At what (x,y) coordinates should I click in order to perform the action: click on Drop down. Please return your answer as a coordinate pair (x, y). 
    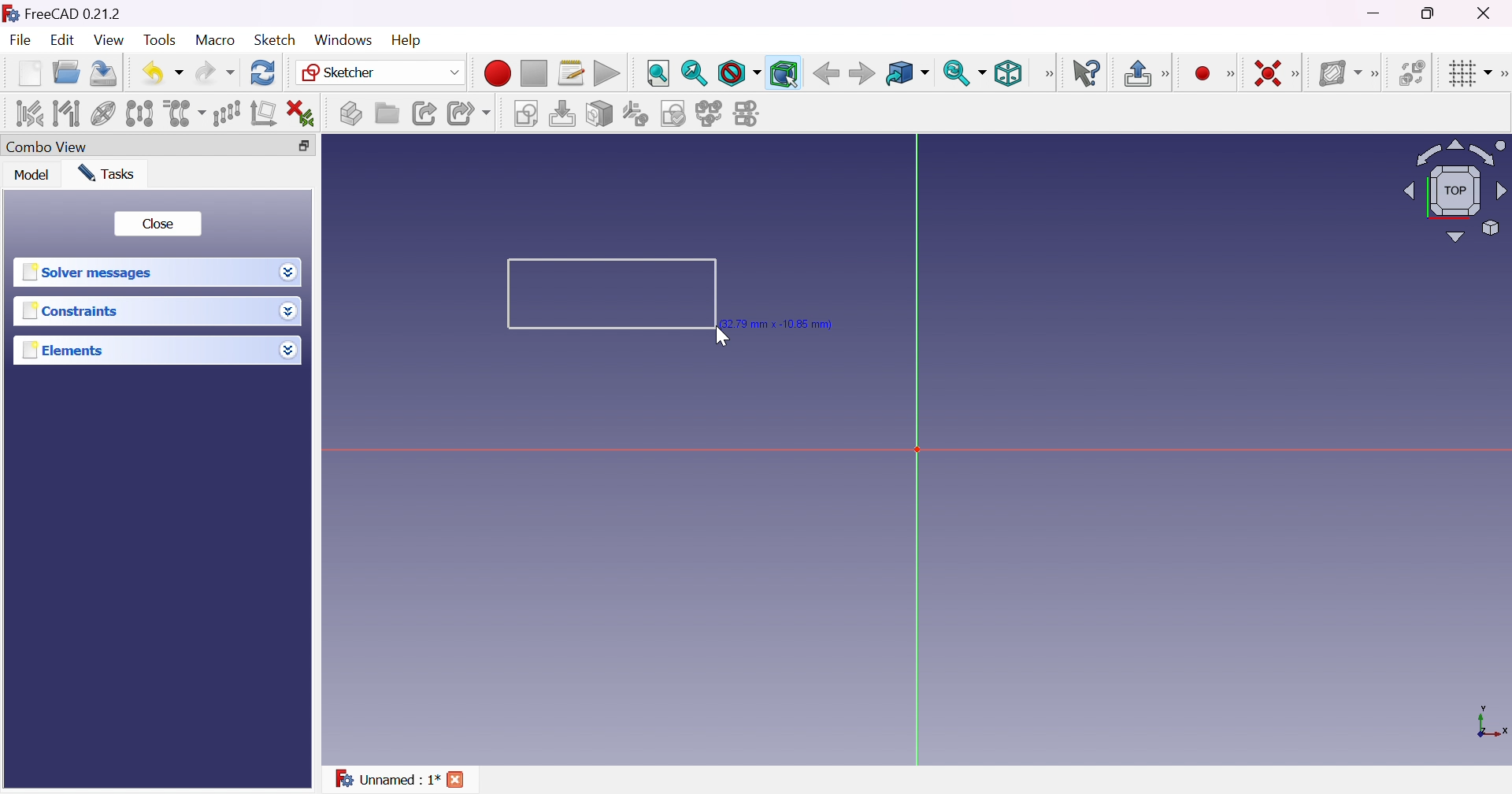
    Looking at the image, I should click on (288, 310).